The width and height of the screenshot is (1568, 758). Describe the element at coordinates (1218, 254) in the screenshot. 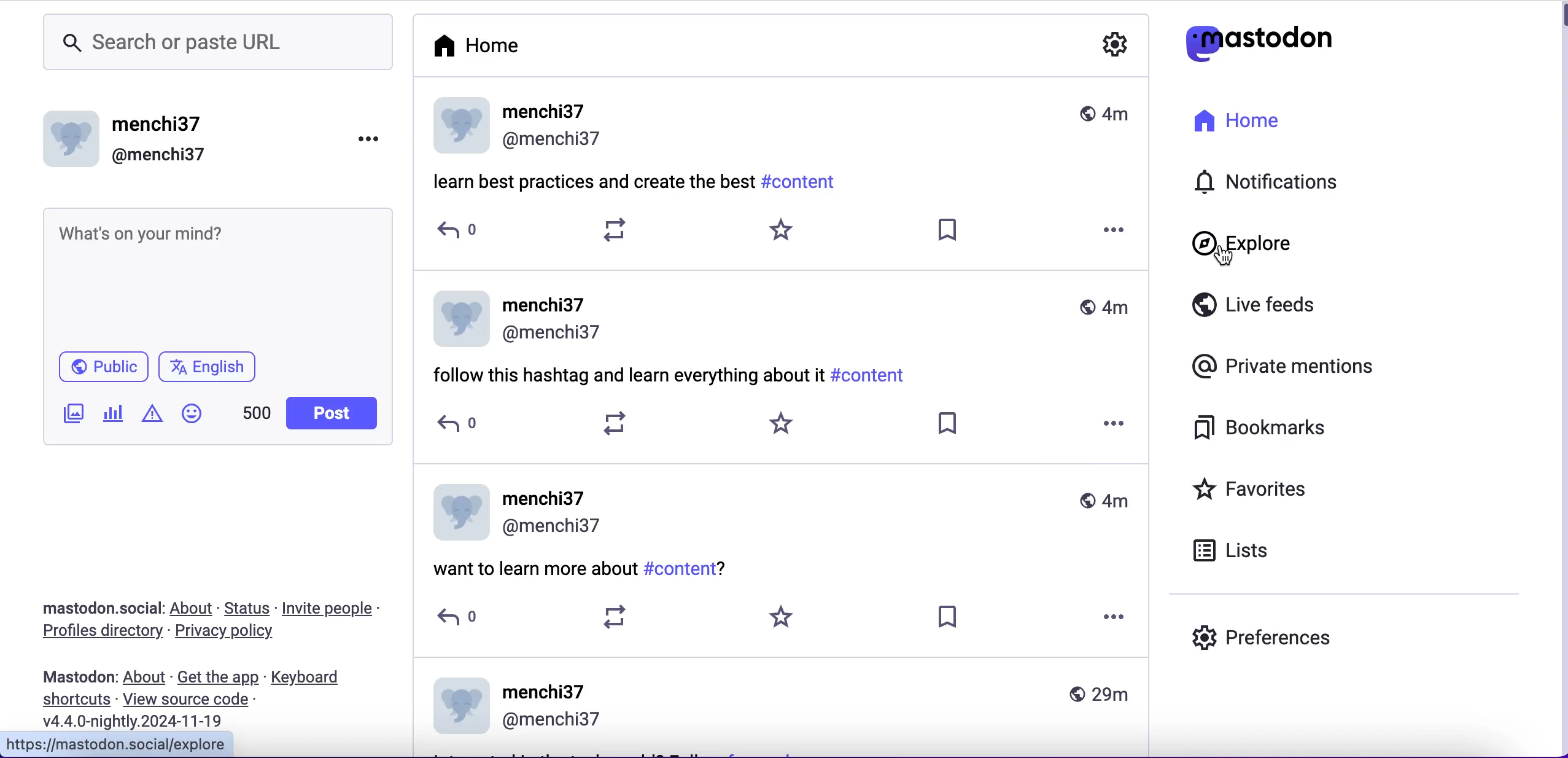

I see `cursor` at that location.